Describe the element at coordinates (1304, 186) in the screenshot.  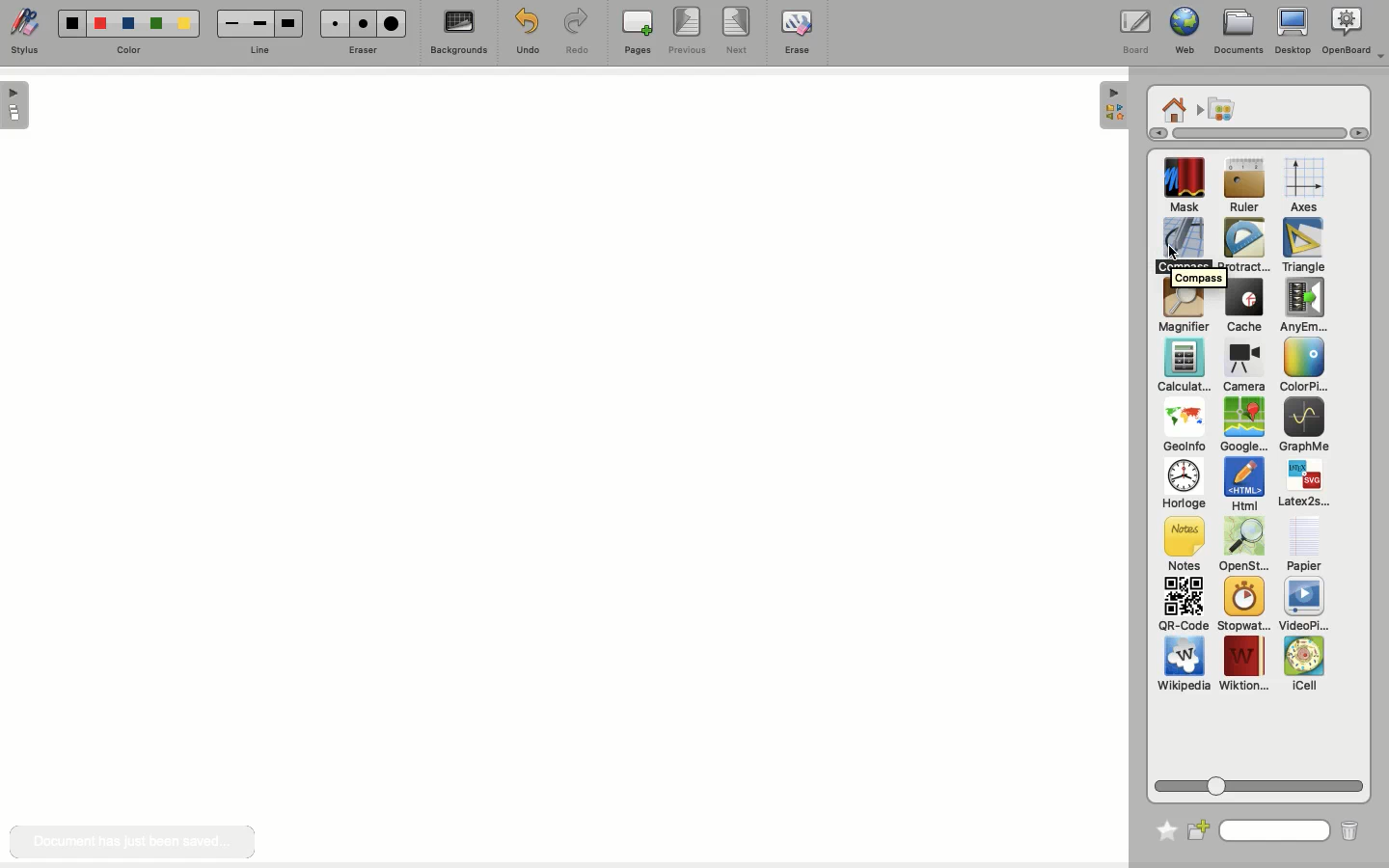
I see `Axes` at that location.